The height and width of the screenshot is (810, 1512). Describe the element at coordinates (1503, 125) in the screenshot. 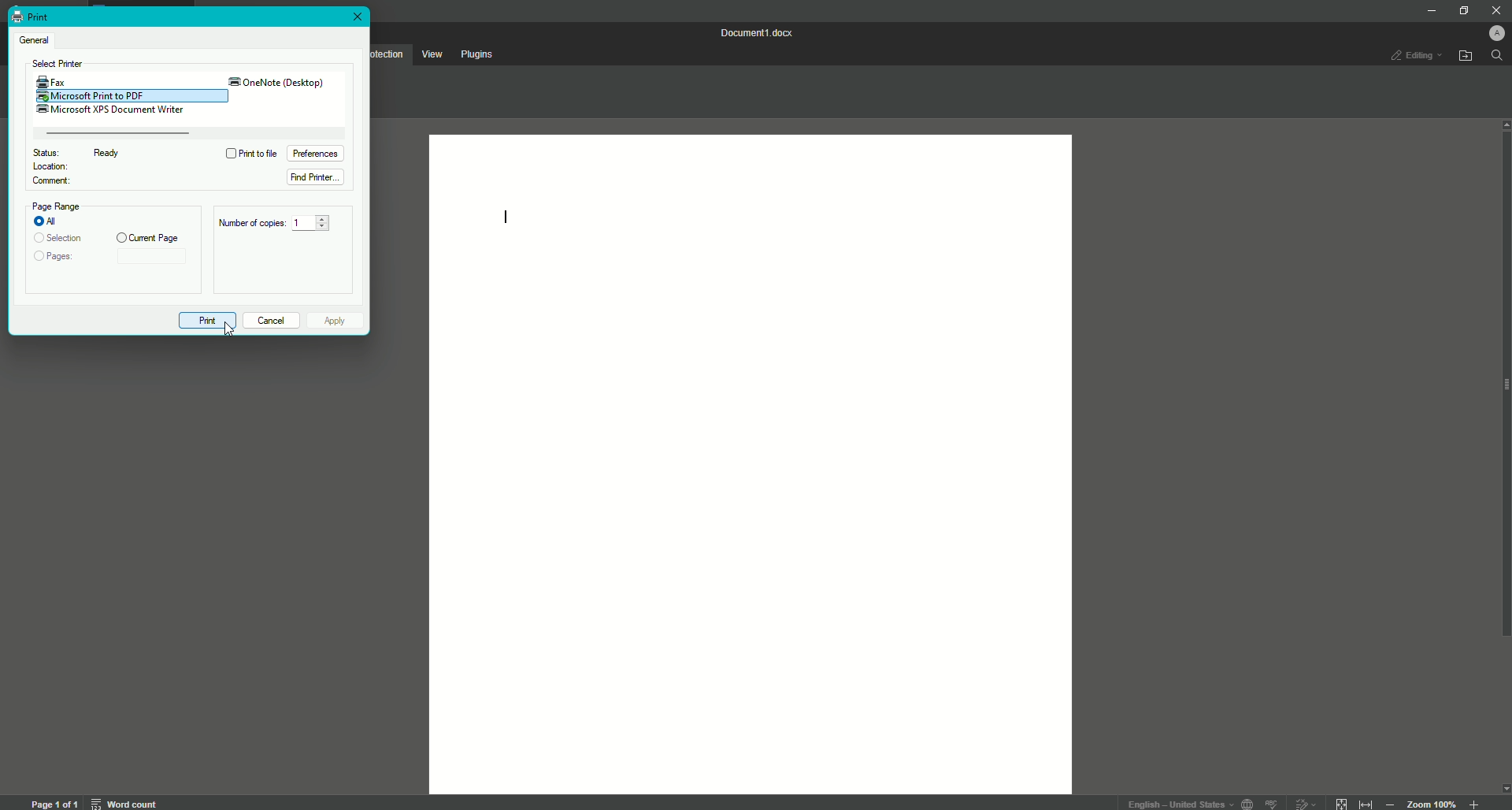

I see `scroll up` at that location.